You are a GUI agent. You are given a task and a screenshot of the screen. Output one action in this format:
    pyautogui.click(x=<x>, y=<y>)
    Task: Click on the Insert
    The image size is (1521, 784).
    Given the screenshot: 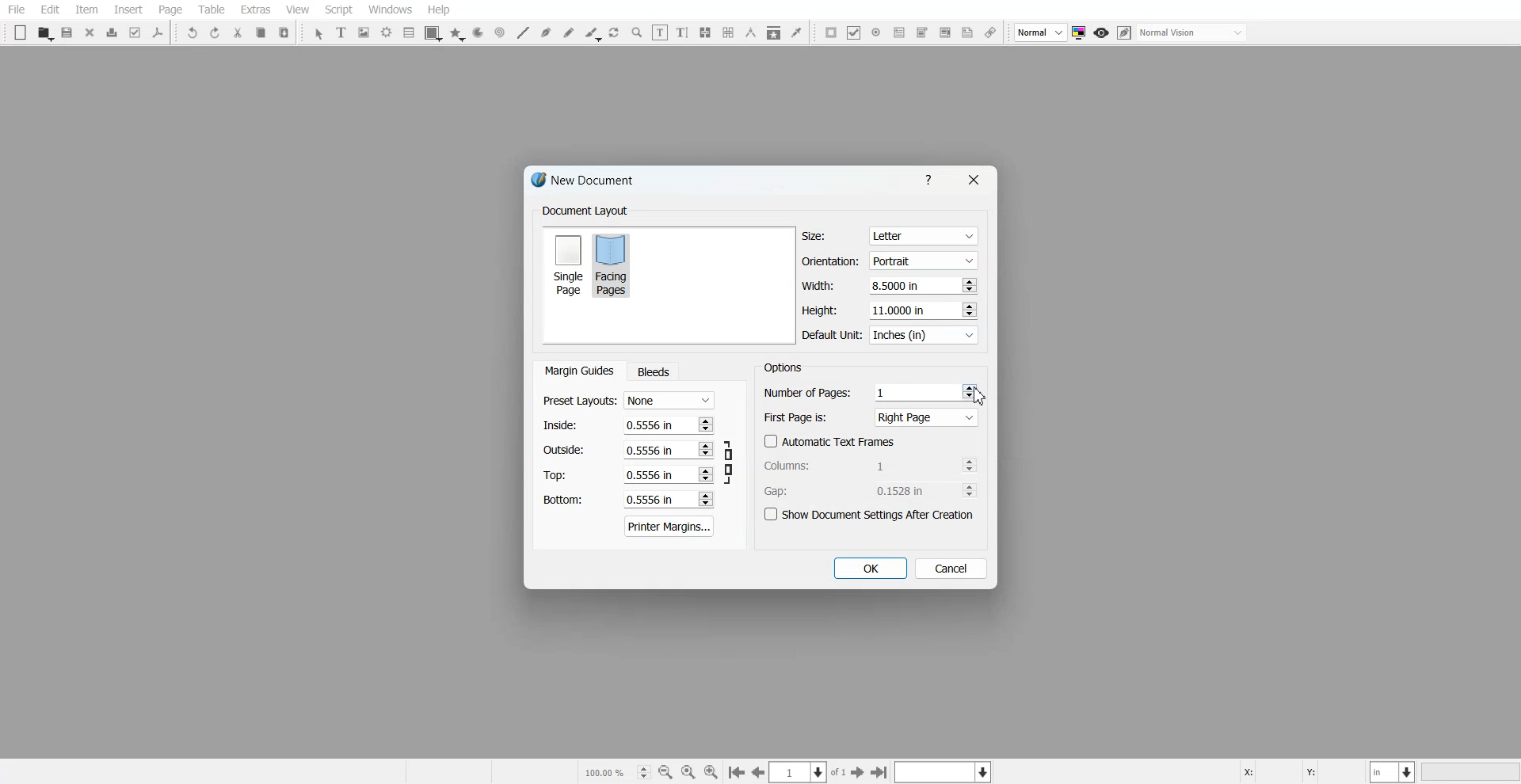 What is the action you would take?
    pyautogui.click(x=128, y=10)
    